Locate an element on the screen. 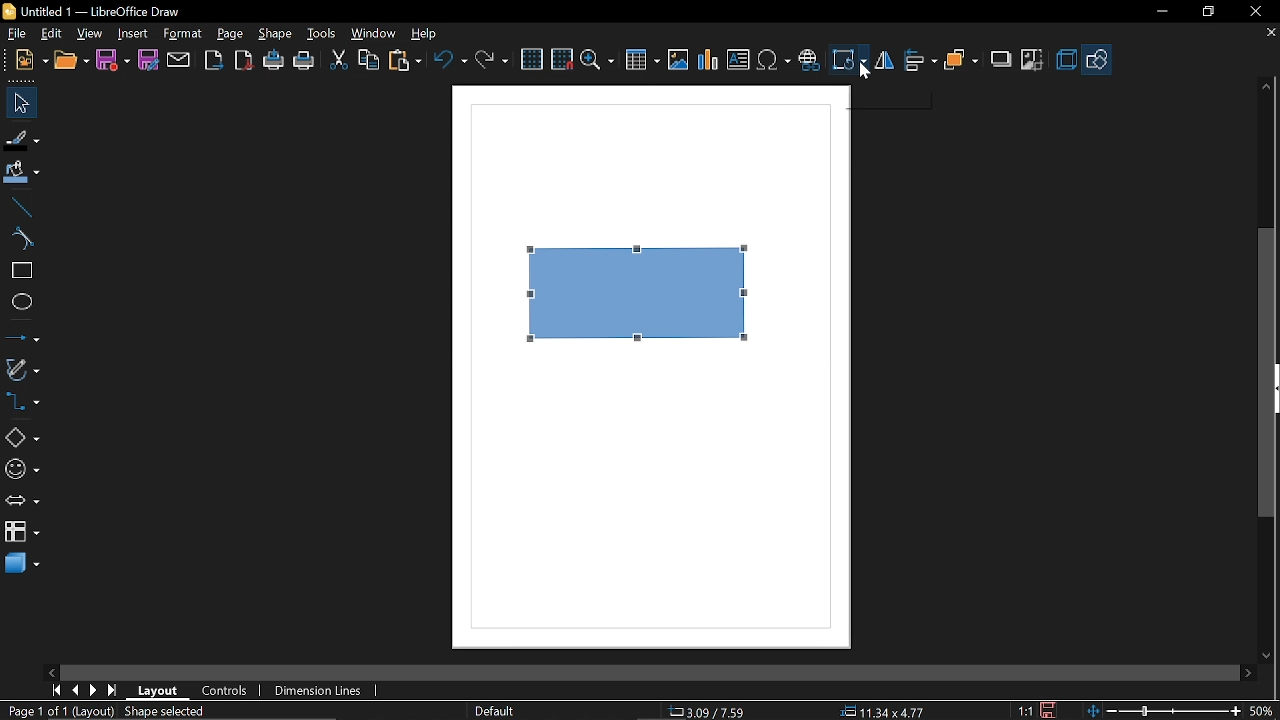  Page is located at coordinates (230, 34).